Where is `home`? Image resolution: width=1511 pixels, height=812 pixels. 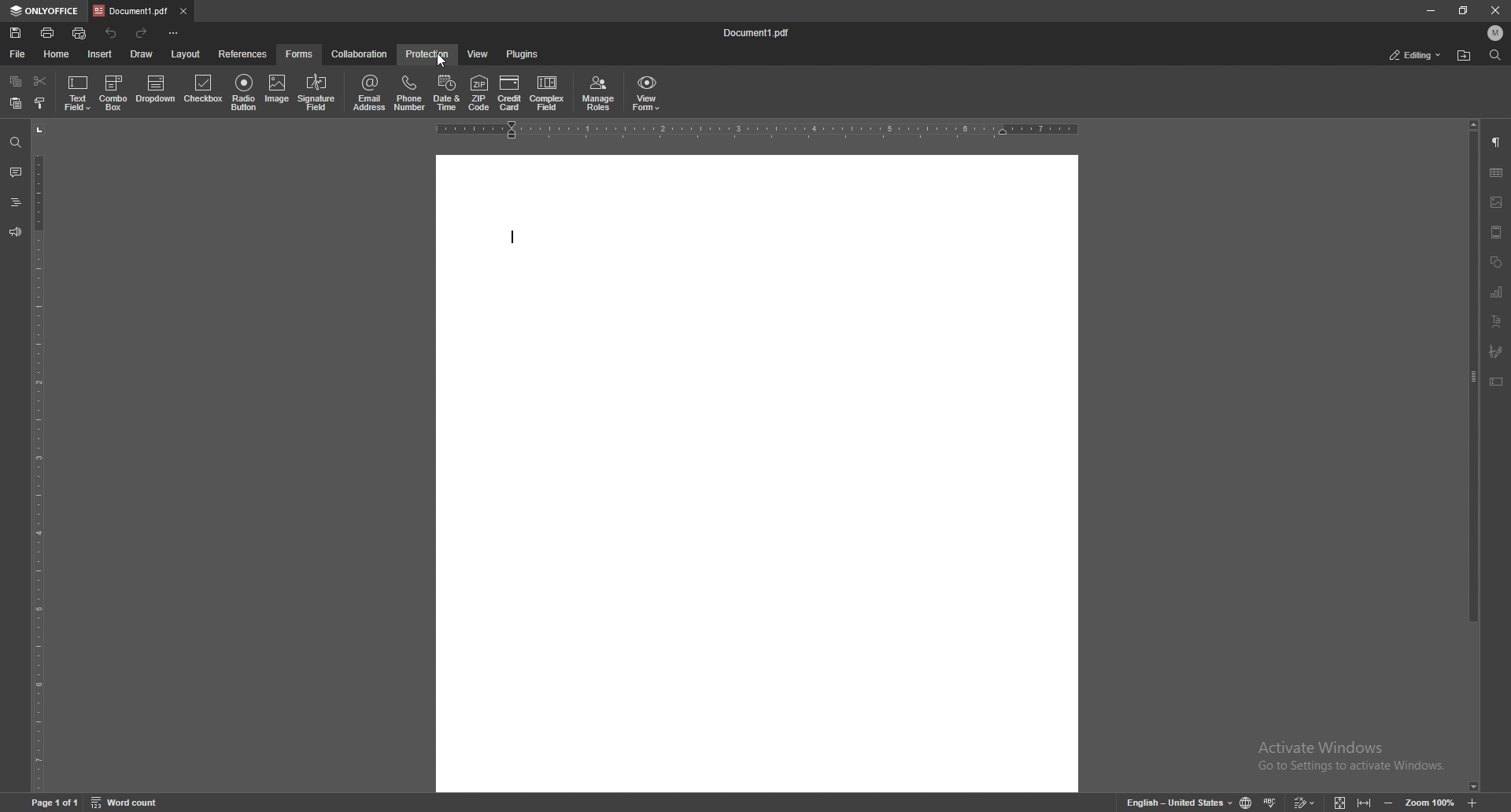 home is located at coordinates (56, 54).